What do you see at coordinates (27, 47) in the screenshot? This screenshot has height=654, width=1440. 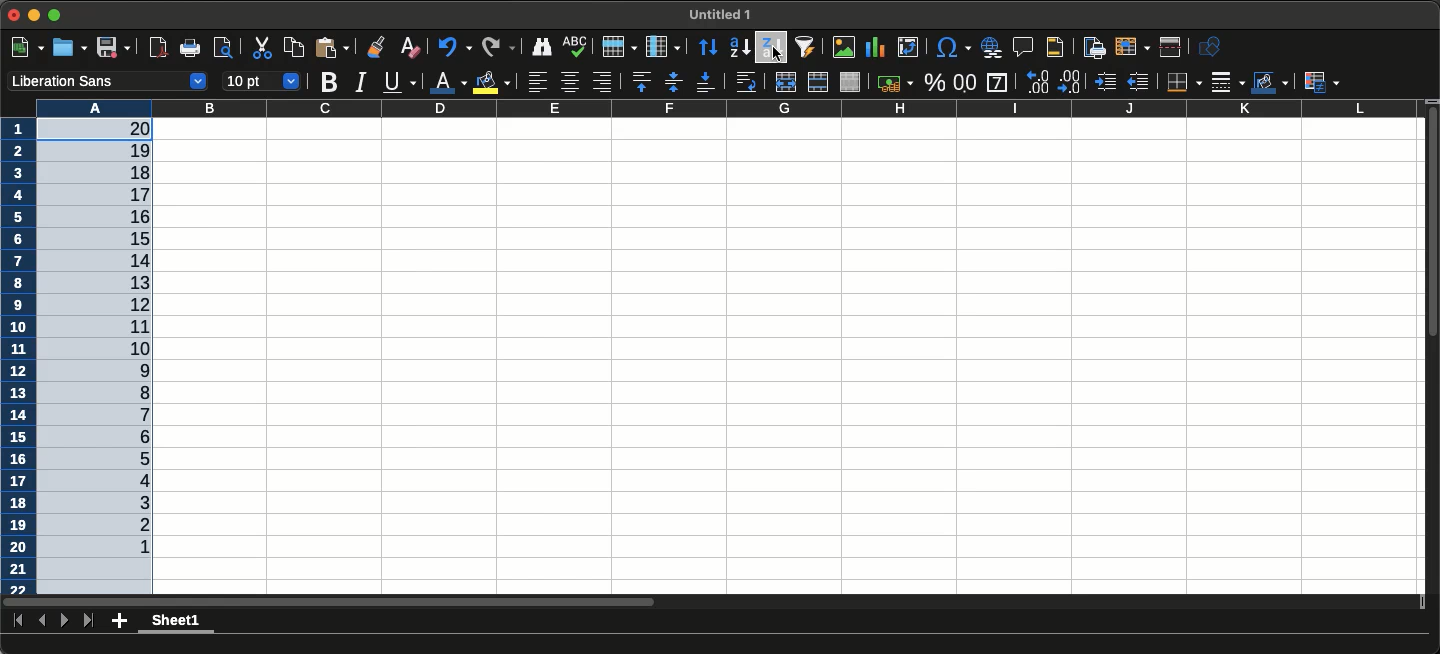 I see `New` at bounding box center [27, 47].